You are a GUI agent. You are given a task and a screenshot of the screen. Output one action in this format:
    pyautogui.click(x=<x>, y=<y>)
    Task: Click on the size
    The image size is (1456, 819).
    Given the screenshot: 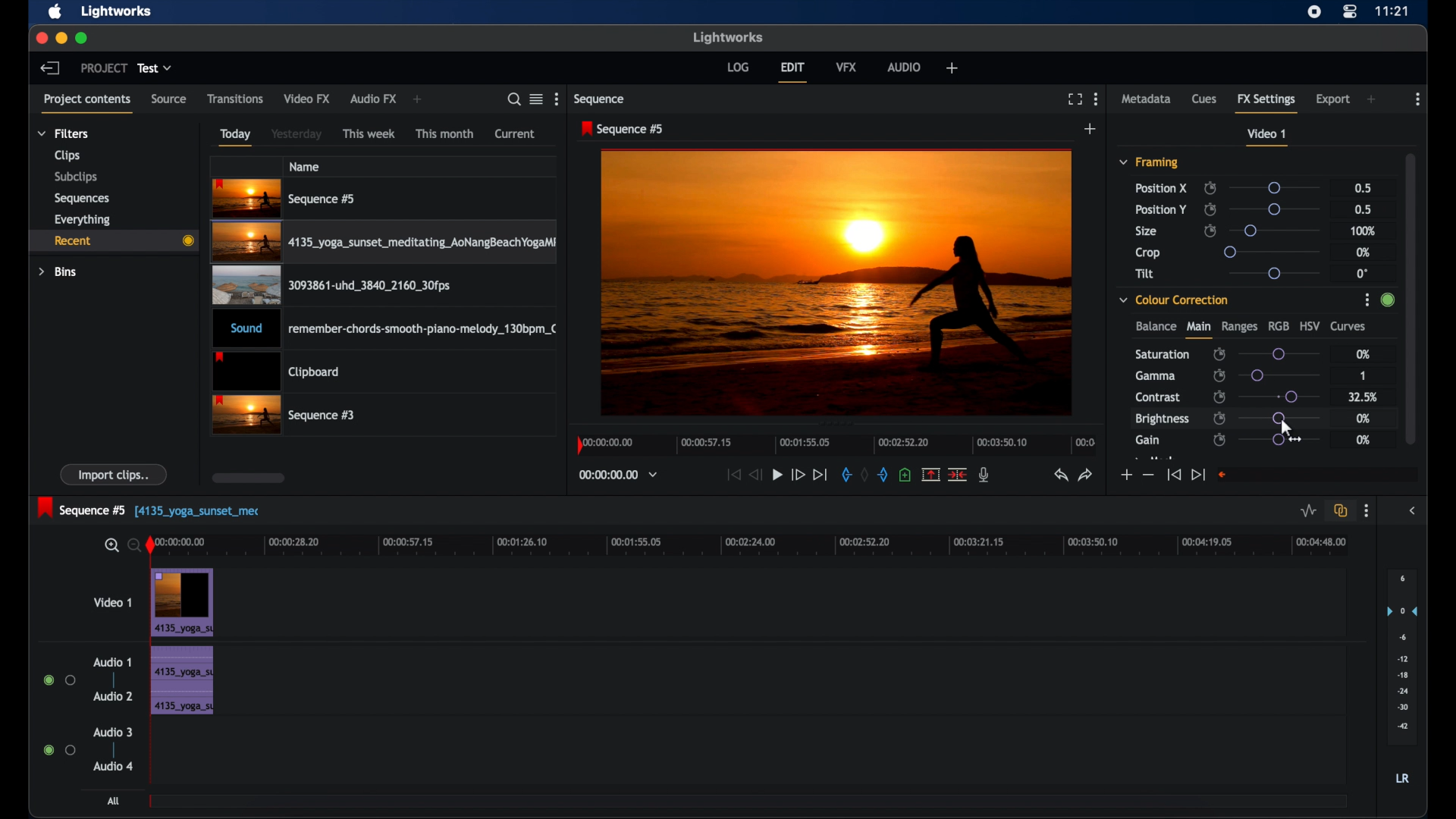 What is the action you would take?
    pyautogui.click(x=1147, y=231)
    